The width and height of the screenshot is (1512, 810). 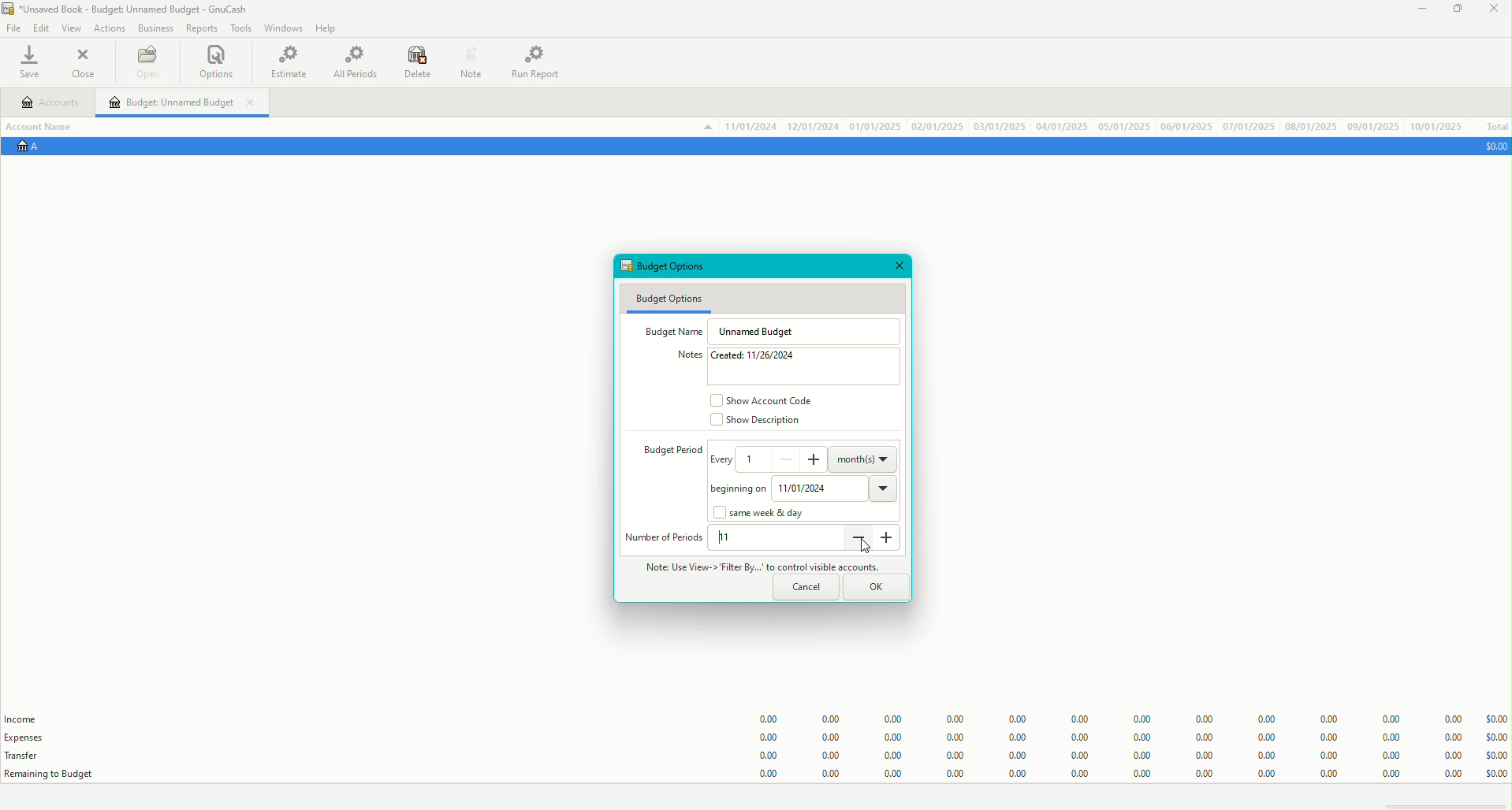 I want to click on month(s), so click(x=865, y=458).